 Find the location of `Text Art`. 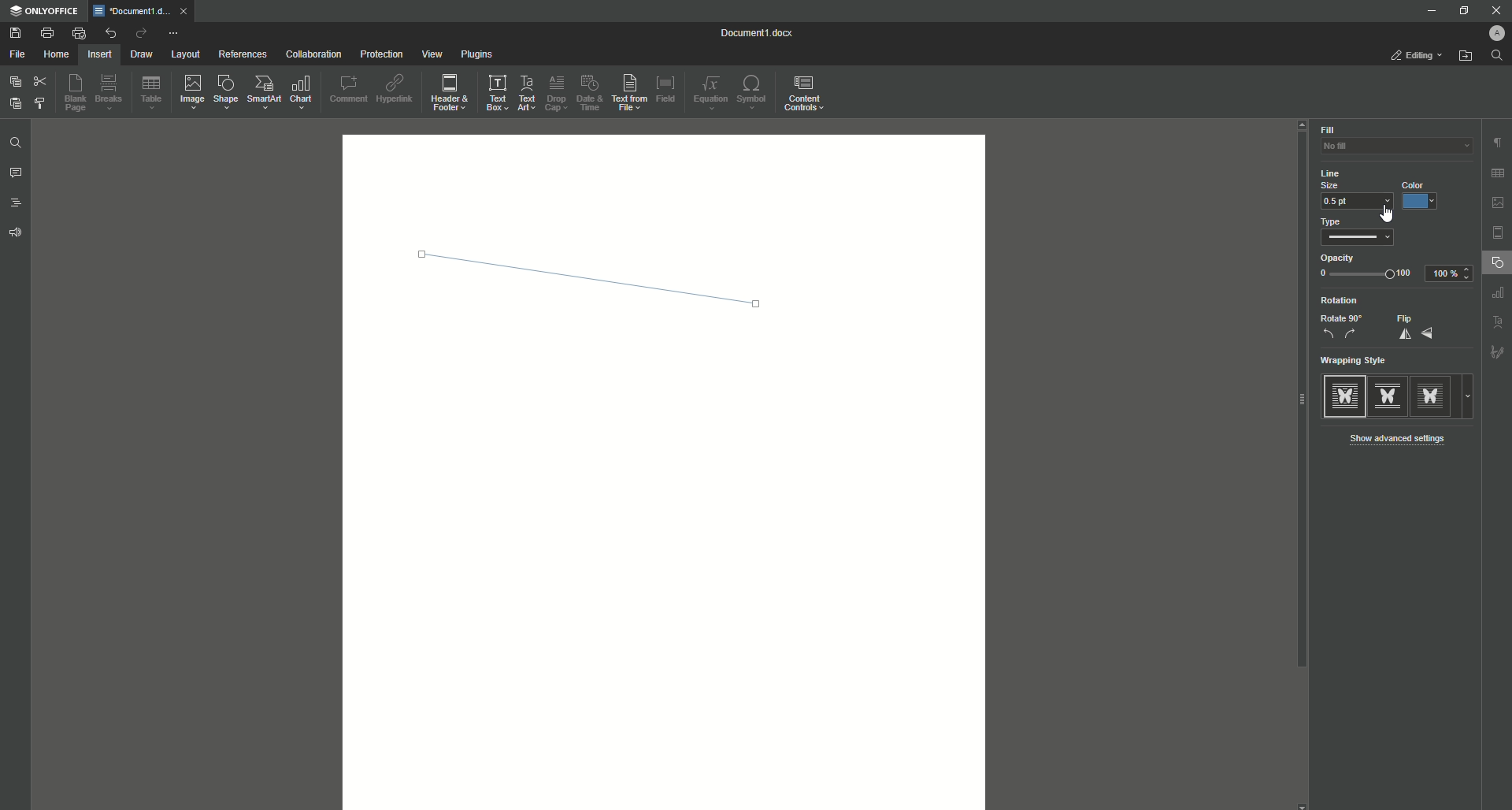

Text Art is located at coordinates (528, 92).